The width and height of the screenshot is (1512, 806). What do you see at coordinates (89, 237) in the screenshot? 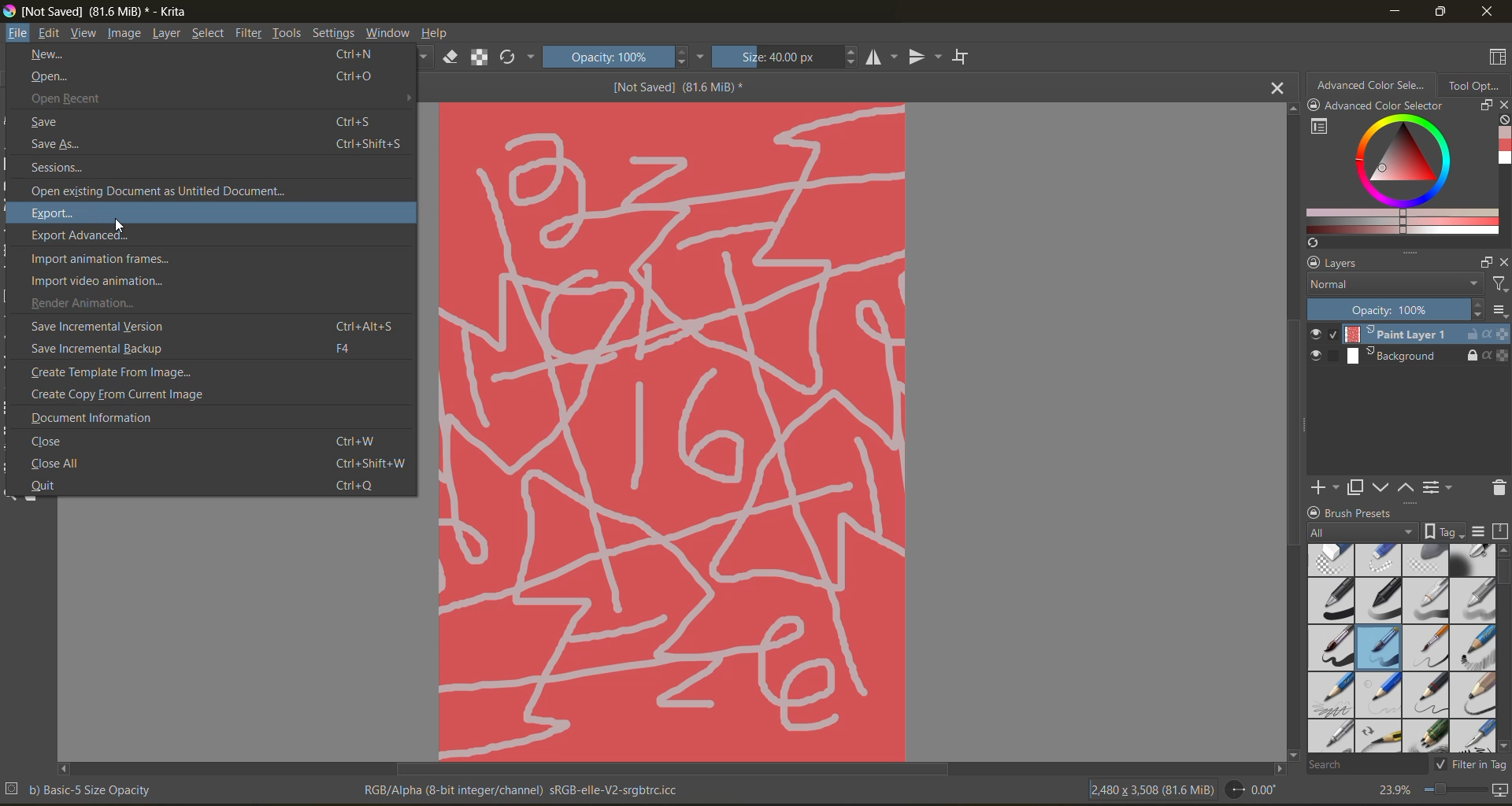
I see `export advanced` at bounding box center [89, 237].